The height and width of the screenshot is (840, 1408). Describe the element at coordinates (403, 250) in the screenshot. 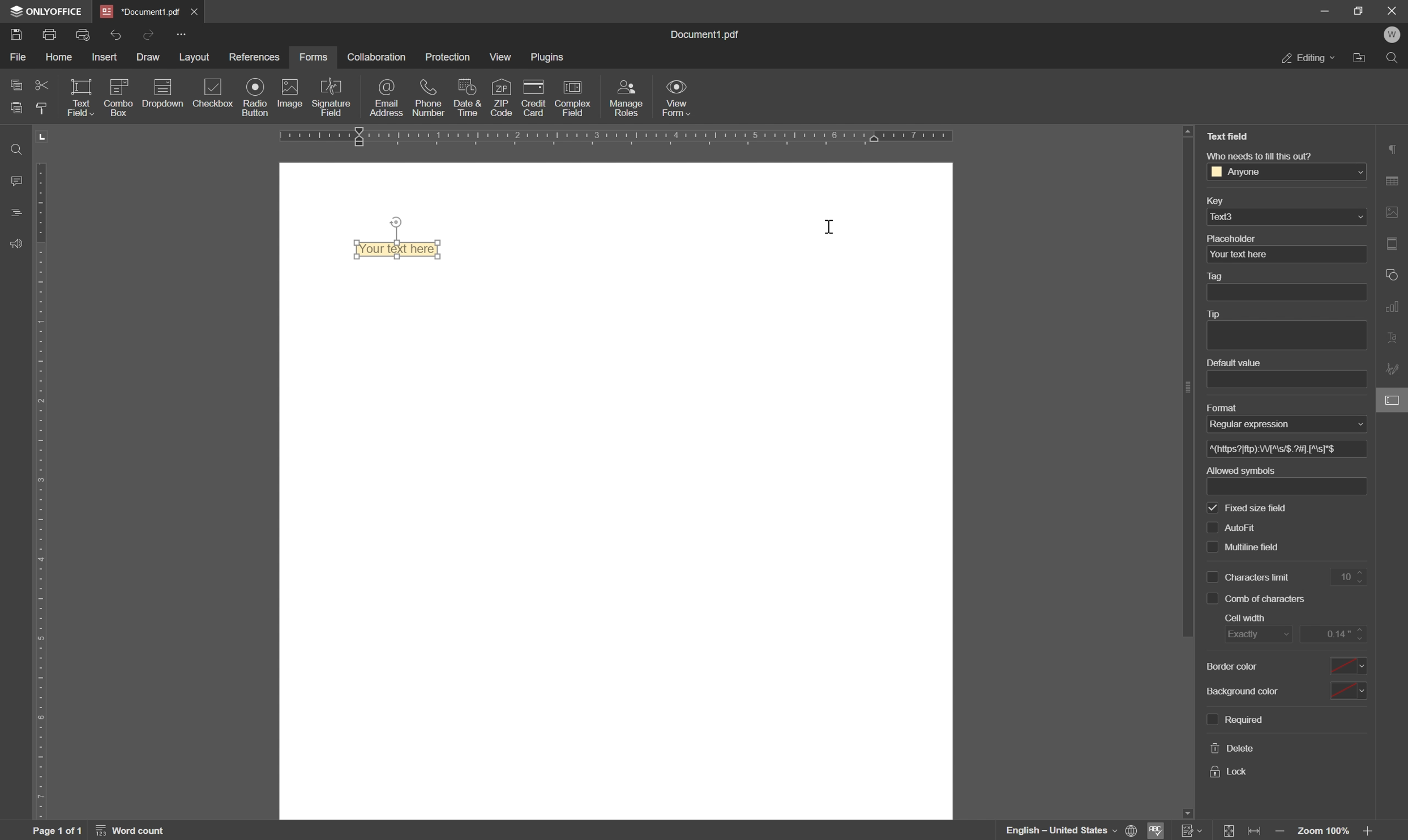

I see `Text field` at that location.